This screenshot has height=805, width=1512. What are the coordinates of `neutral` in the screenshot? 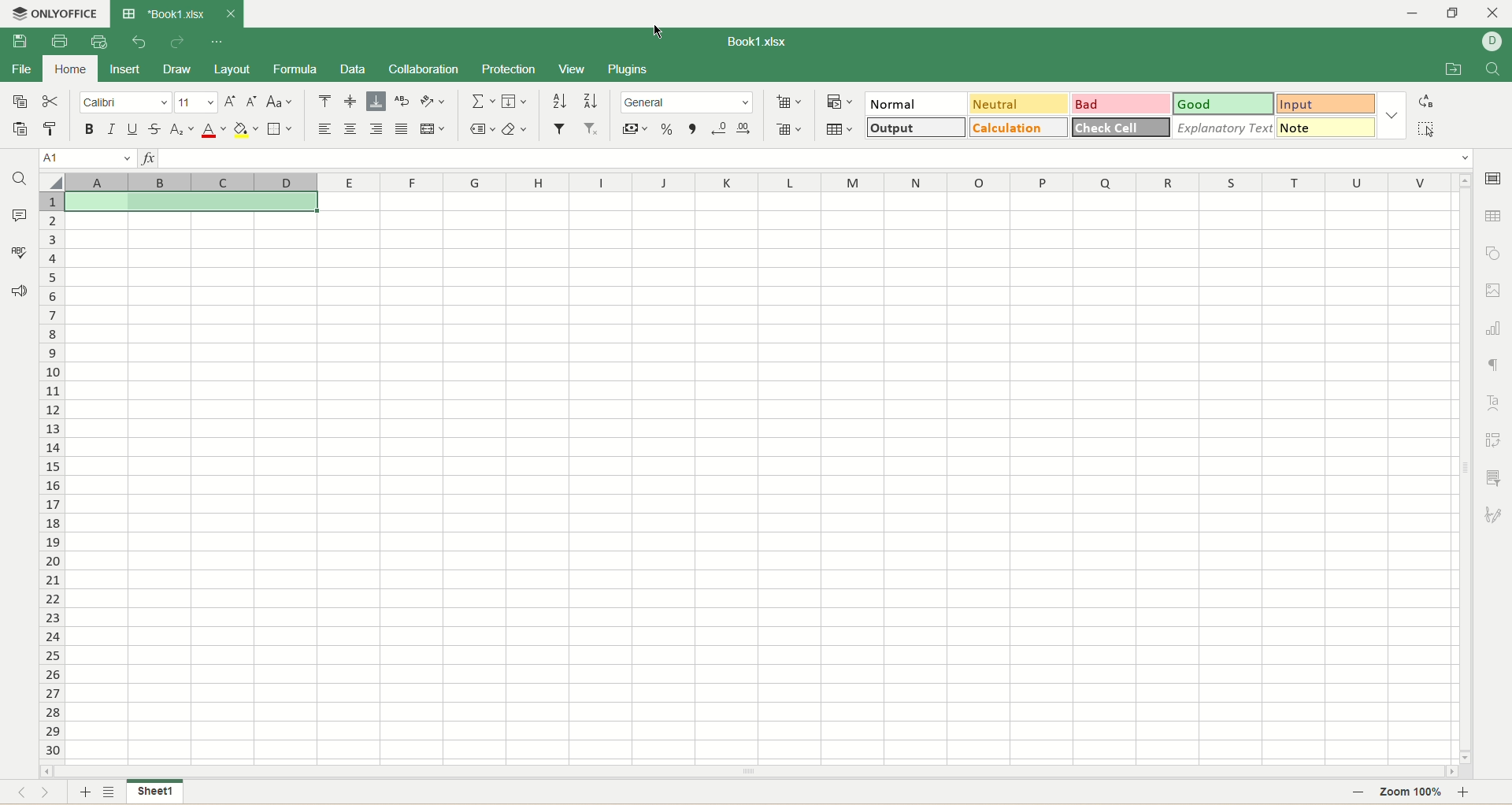 It's located at (1018, 102).